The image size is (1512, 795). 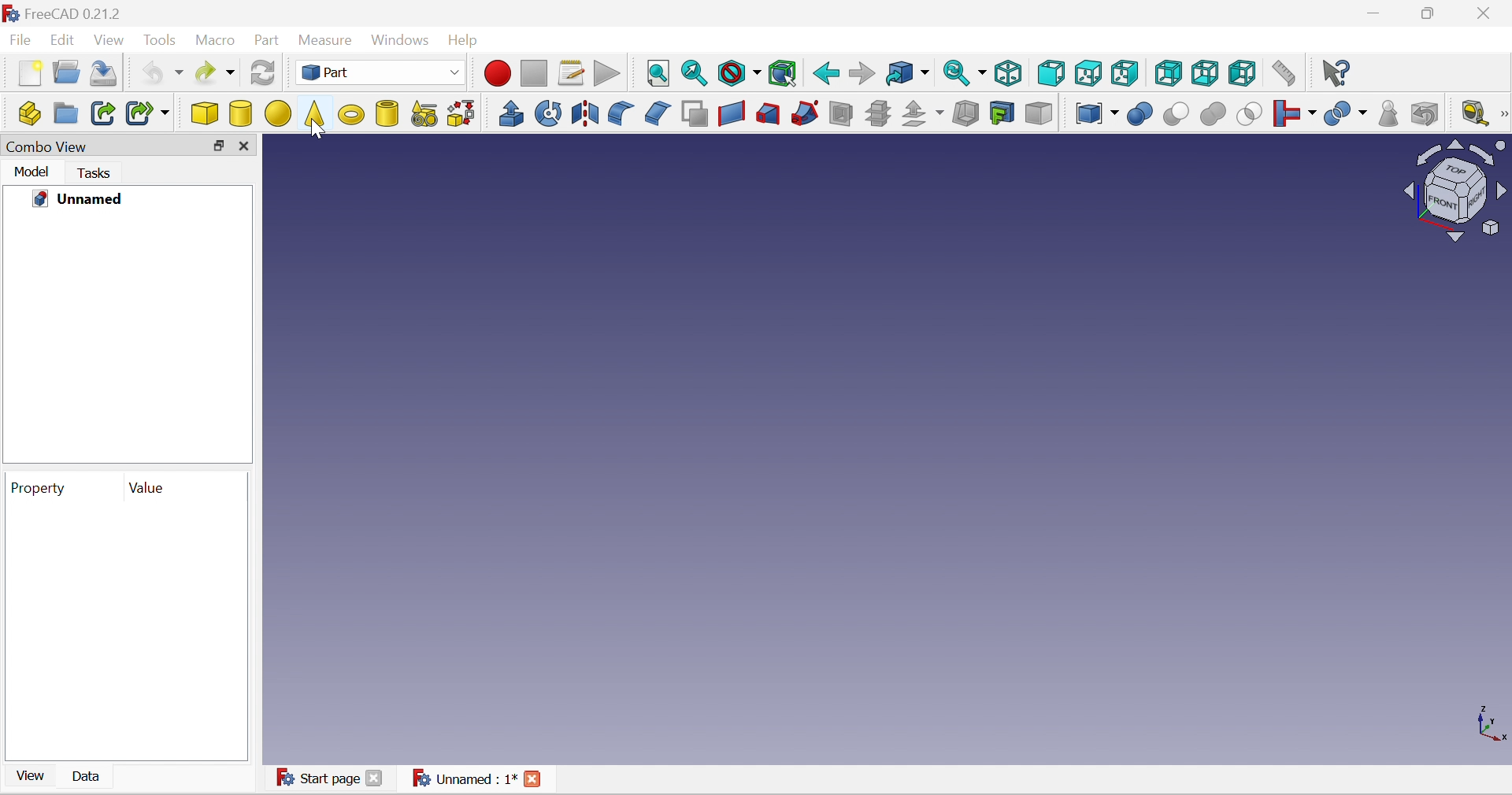 What do you see at coordinates (278, 114) in the screenshot?
I see `Sphere` at bounding box center [278, 114].